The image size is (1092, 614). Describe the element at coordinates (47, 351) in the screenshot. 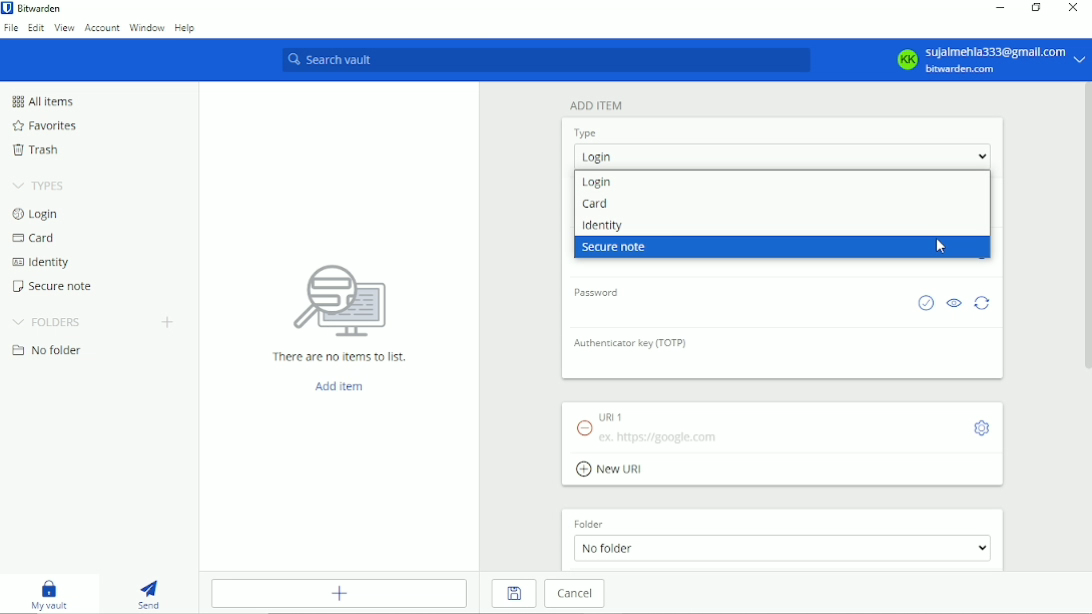

I see `No folder` at that location.